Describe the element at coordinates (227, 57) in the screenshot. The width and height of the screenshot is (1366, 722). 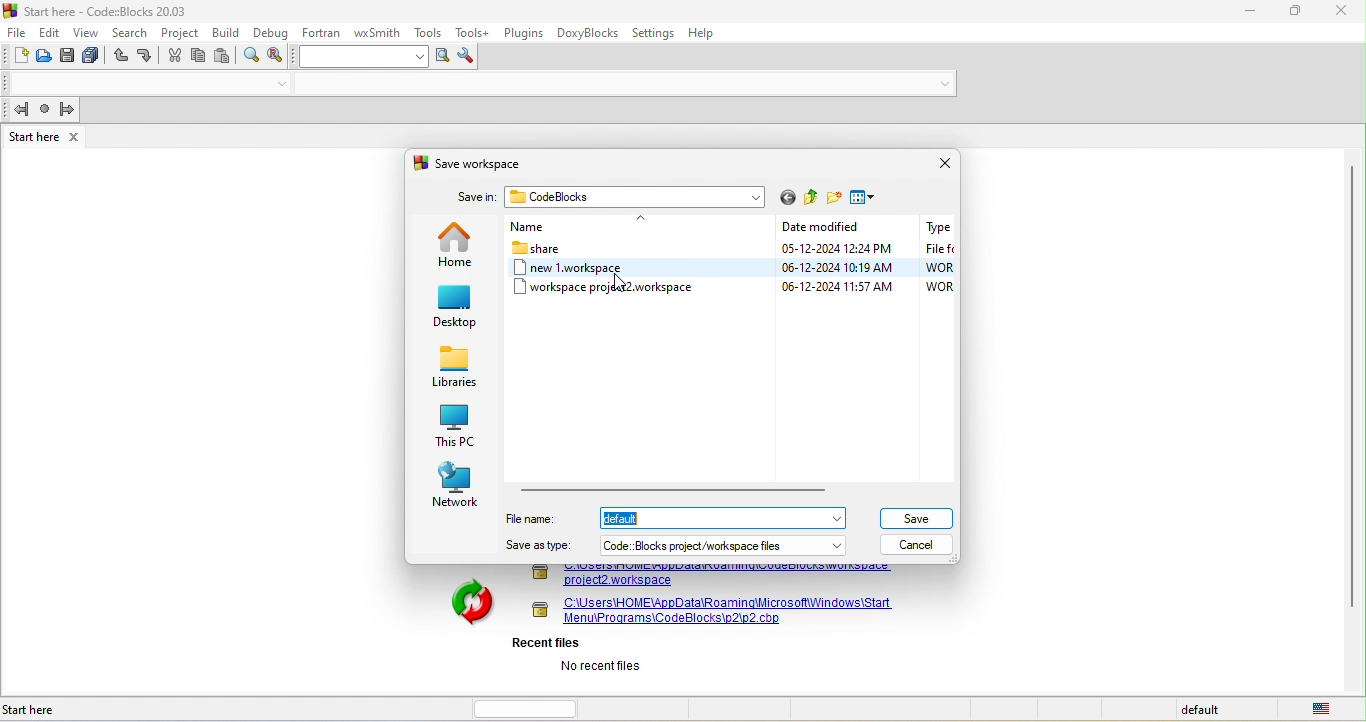
I see `paste` at that location.